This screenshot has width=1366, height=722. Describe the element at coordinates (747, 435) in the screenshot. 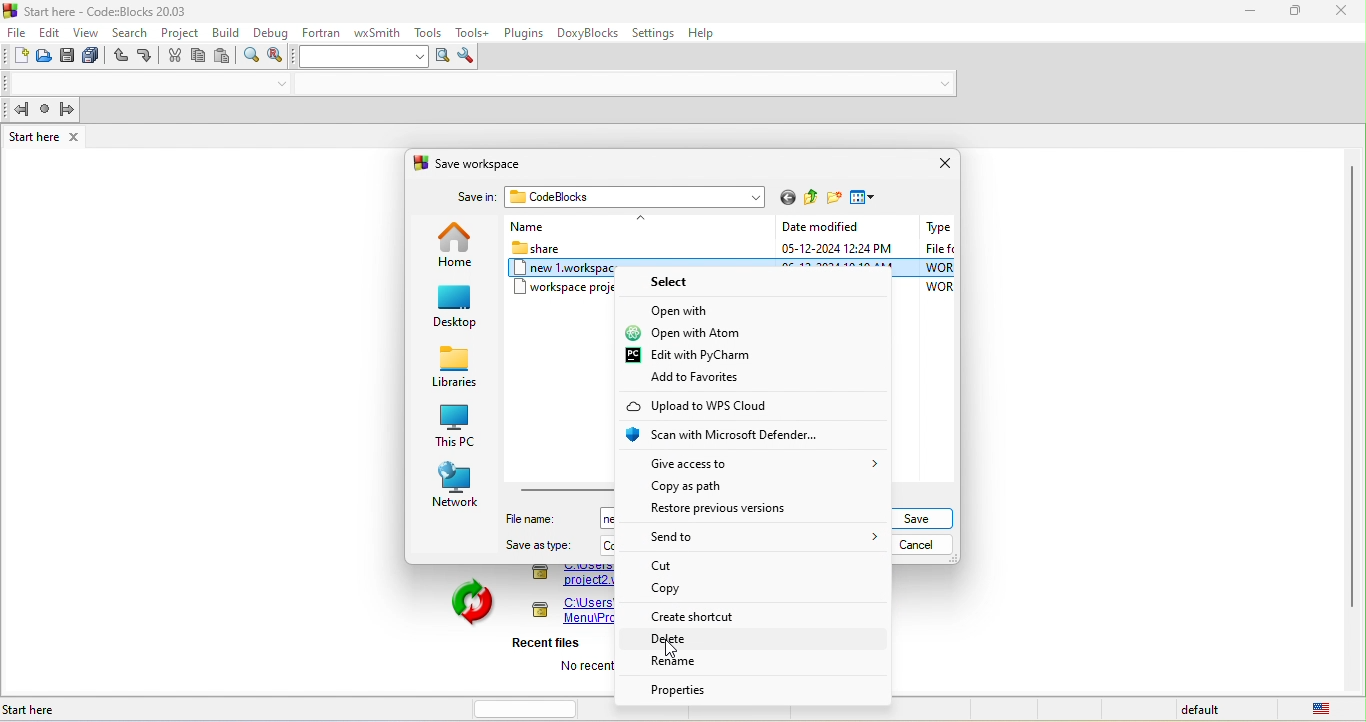

I see `scan with microsoft defender` at that location.